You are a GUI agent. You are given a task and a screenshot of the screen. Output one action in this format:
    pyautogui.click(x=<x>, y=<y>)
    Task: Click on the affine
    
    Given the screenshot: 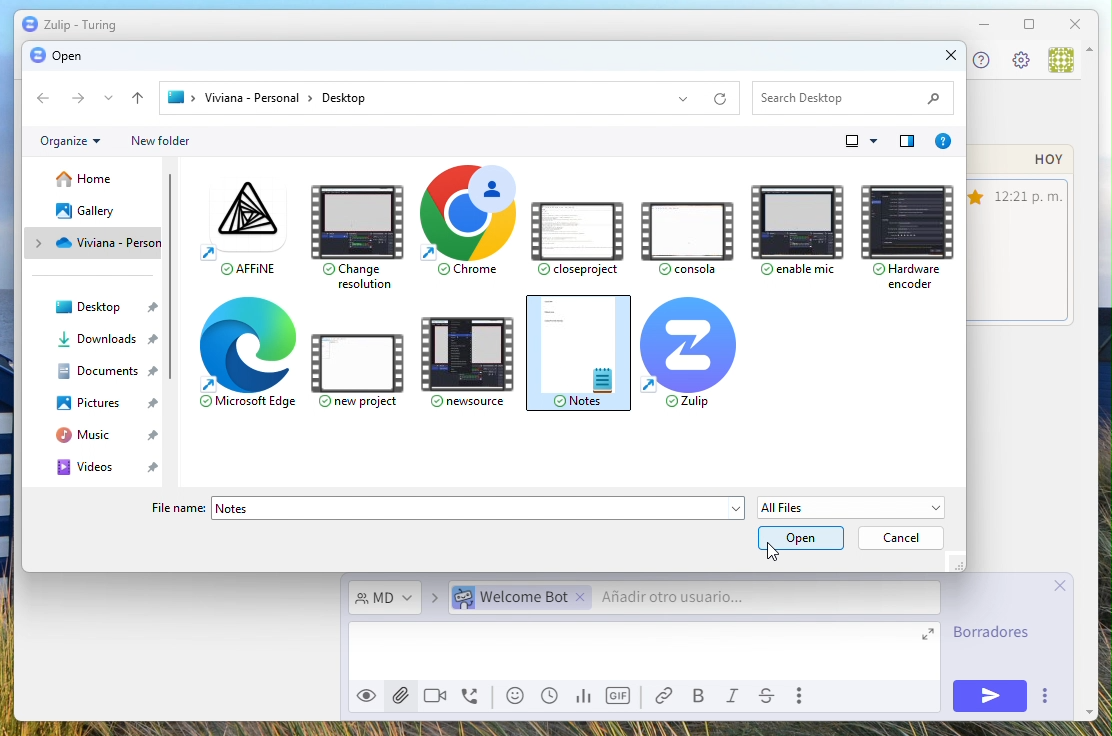 What is the action you would take?
    pyautogui.click(x=237, y=228)
    